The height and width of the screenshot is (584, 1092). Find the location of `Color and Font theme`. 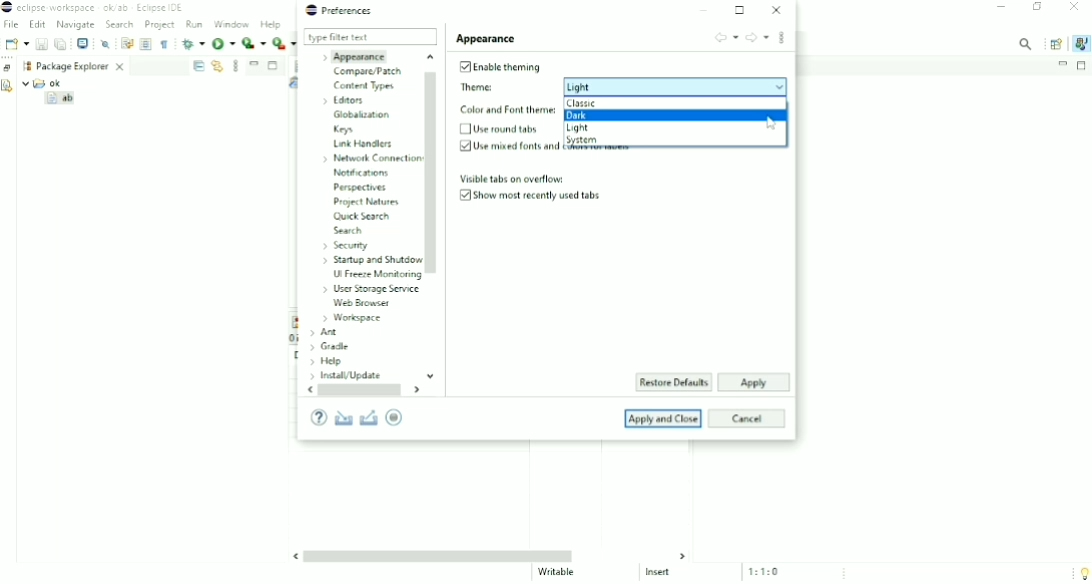

Color and Font theme is located at coordinates (507, 110).